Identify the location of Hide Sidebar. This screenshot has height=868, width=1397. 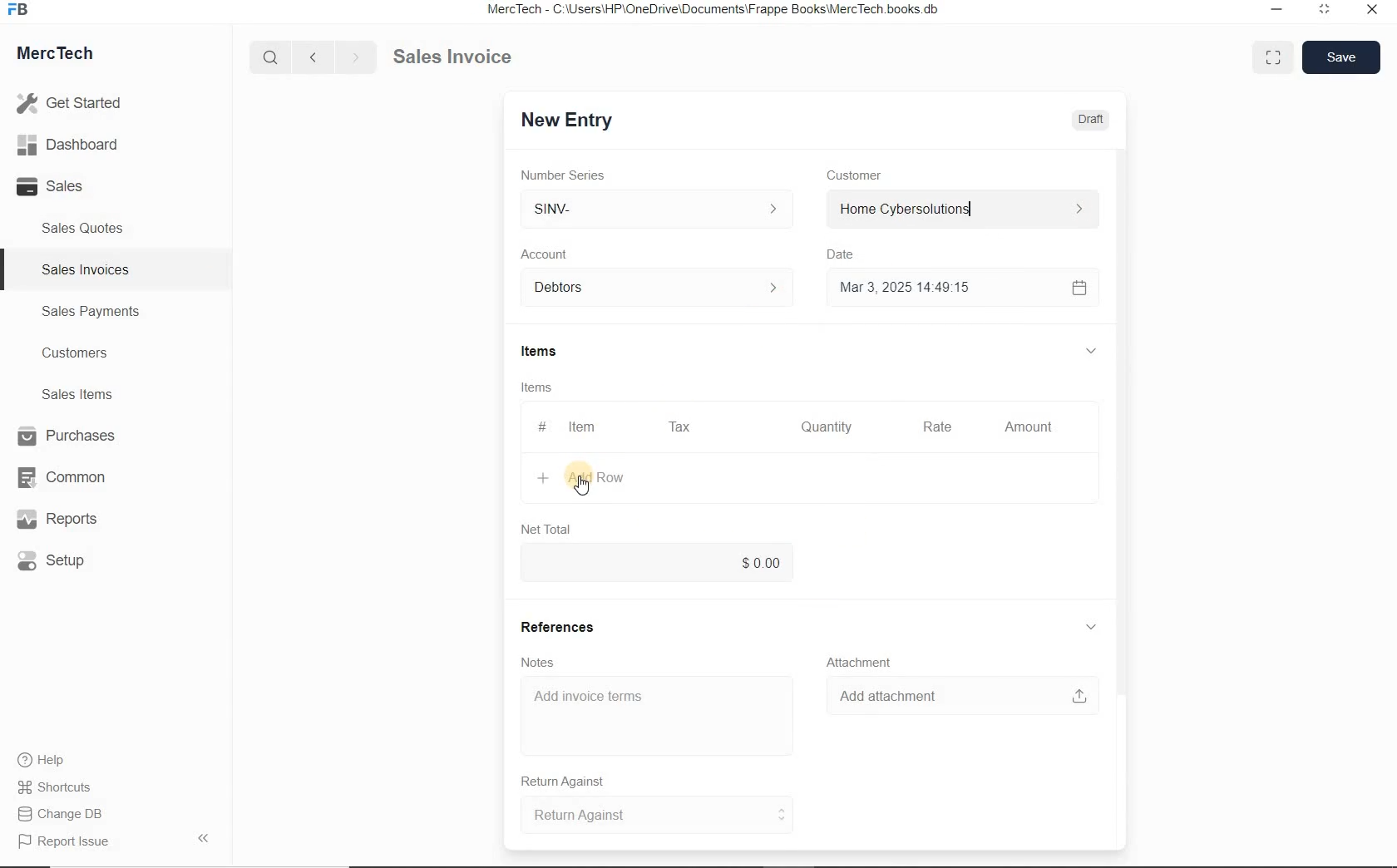
(202, 837).